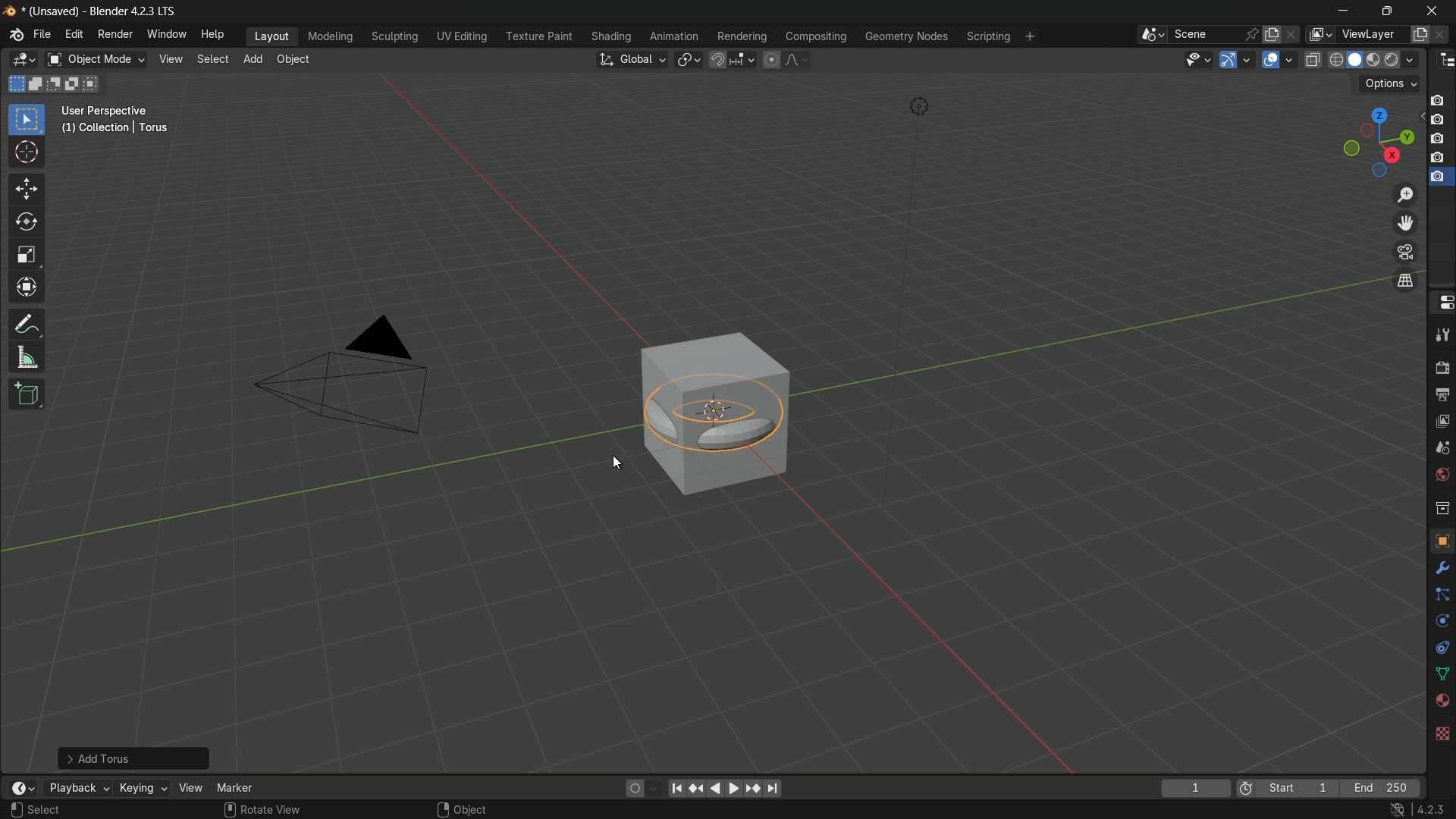 This screenshot has width=1456, height=819. Describe the element at coordinates (1439, 475) in the screenshot. I see `world` at that location.